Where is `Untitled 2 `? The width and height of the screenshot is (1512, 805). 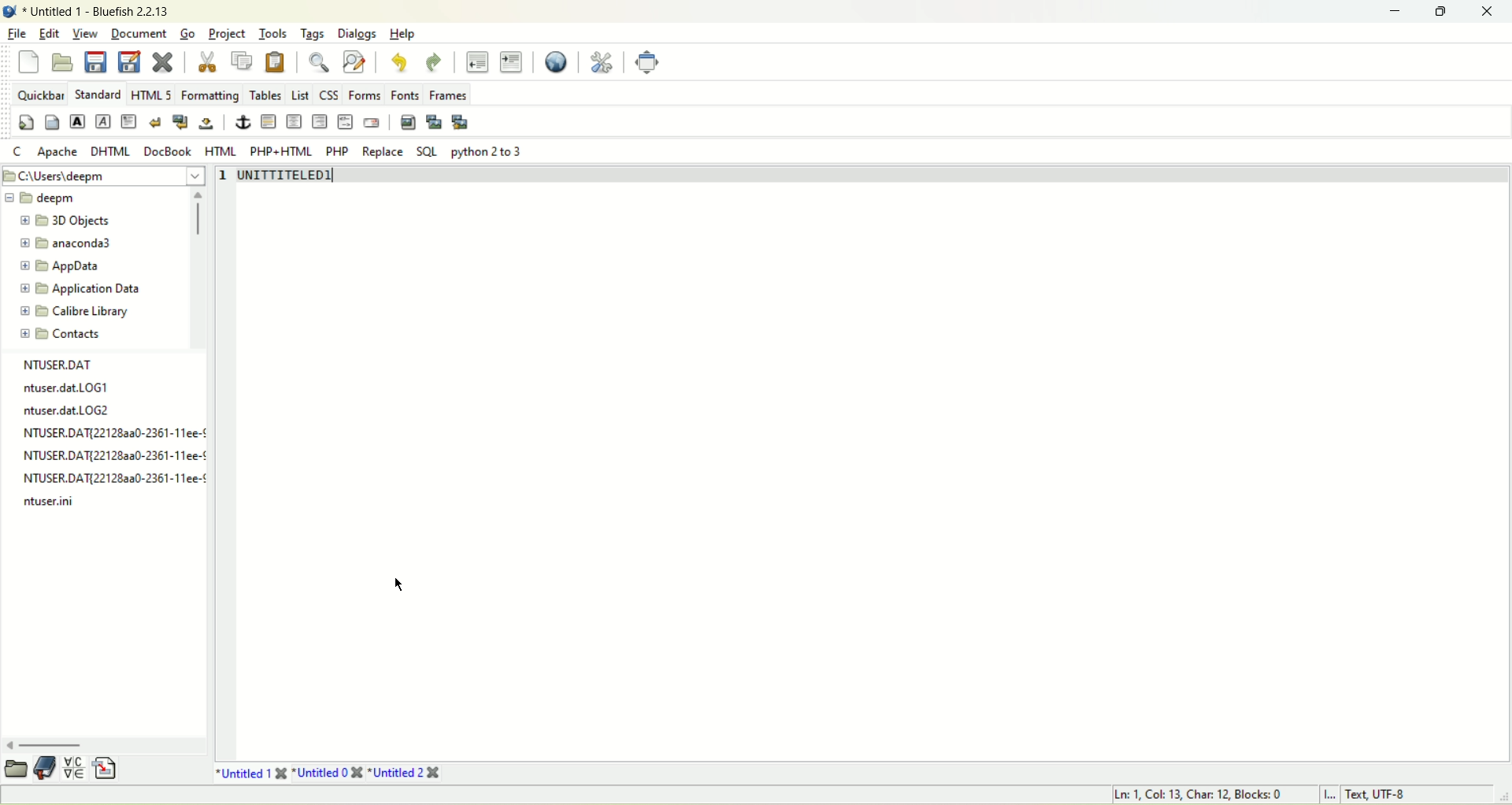
Untitled 2  is located at coordinates (407, 774).